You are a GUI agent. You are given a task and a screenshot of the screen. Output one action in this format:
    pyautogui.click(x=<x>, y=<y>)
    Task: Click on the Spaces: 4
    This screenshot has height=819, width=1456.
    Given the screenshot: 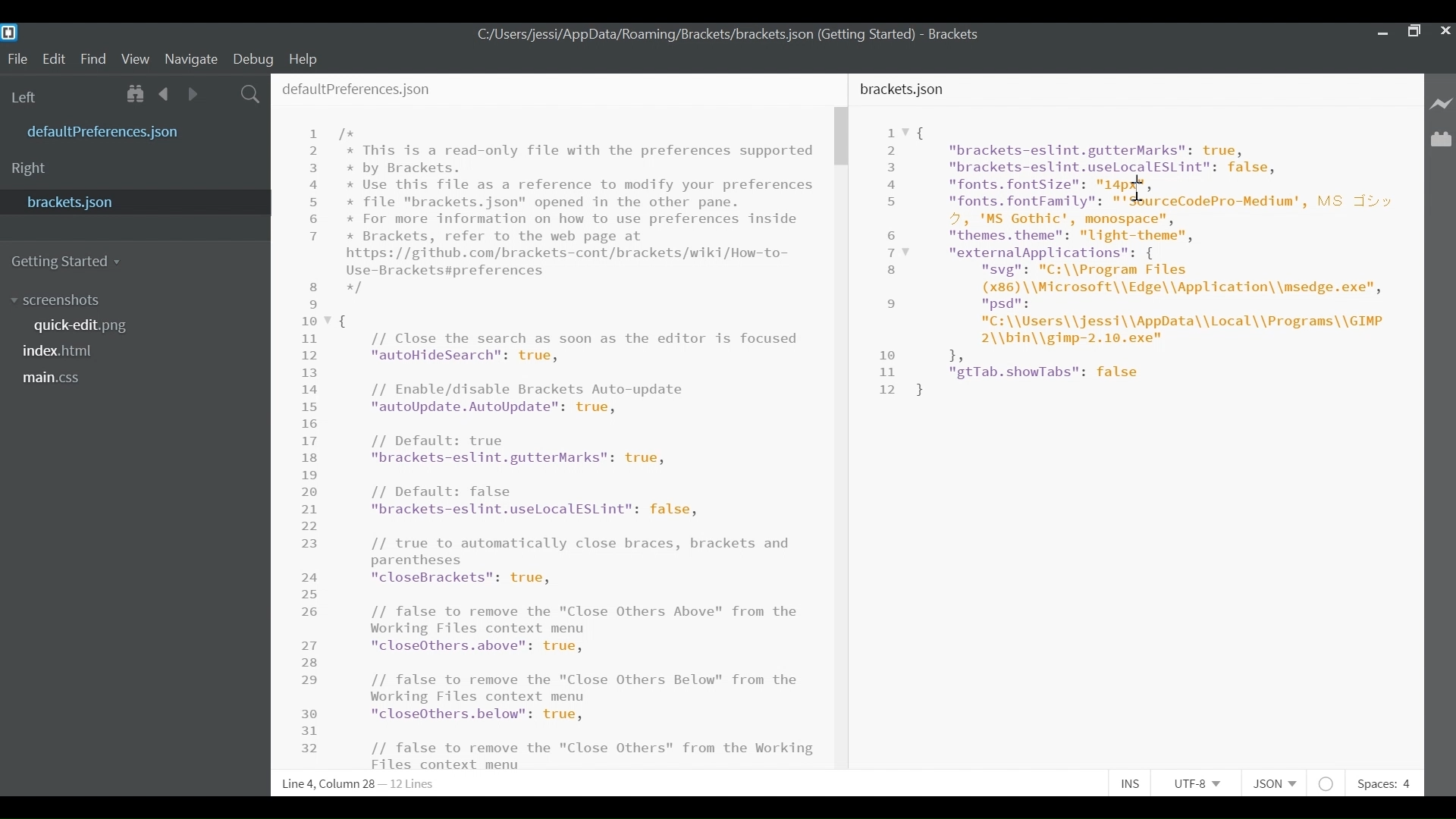 What is the action you would take?
    pyautogui.click(x=1382, y=783)
    